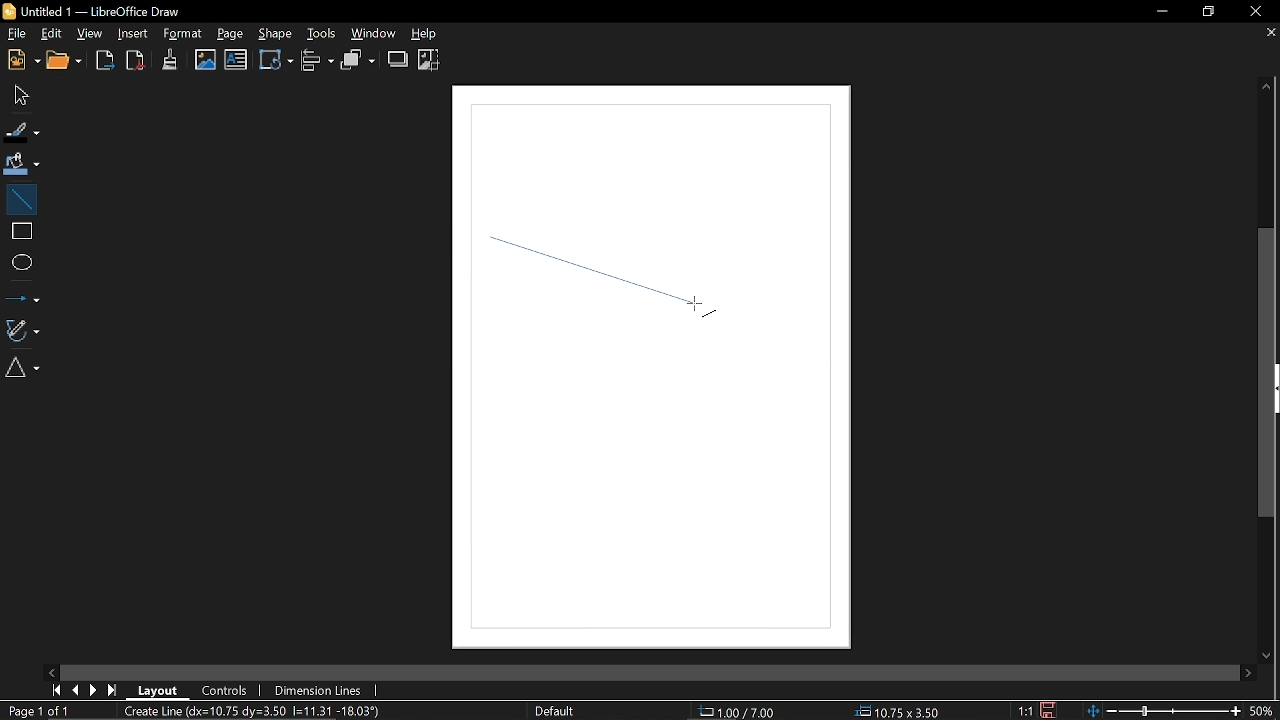 Image resolution: width=1280 pixels, height=720 pixels. What do you see at coordinates (26, 370) in the screenshot?
I see `basic shapes` at bounding box center [26, 370].